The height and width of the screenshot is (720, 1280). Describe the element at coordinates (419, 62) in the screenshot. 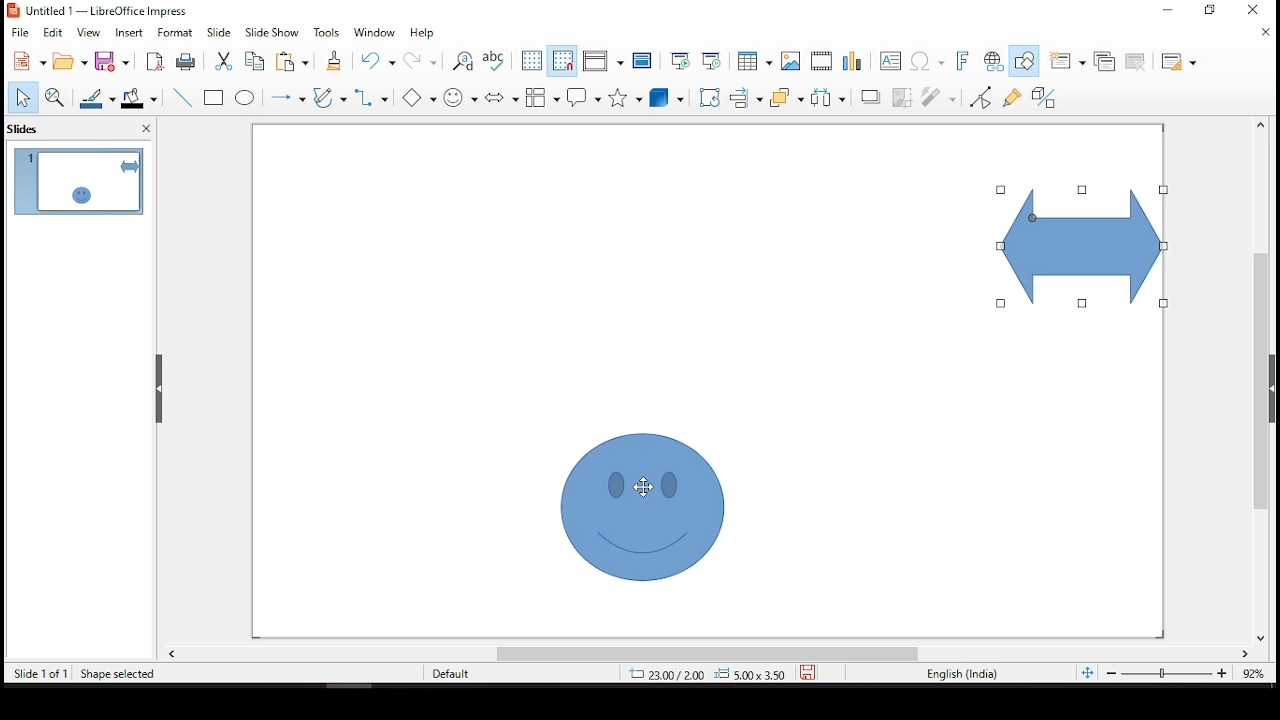

I see `redo` at that location.